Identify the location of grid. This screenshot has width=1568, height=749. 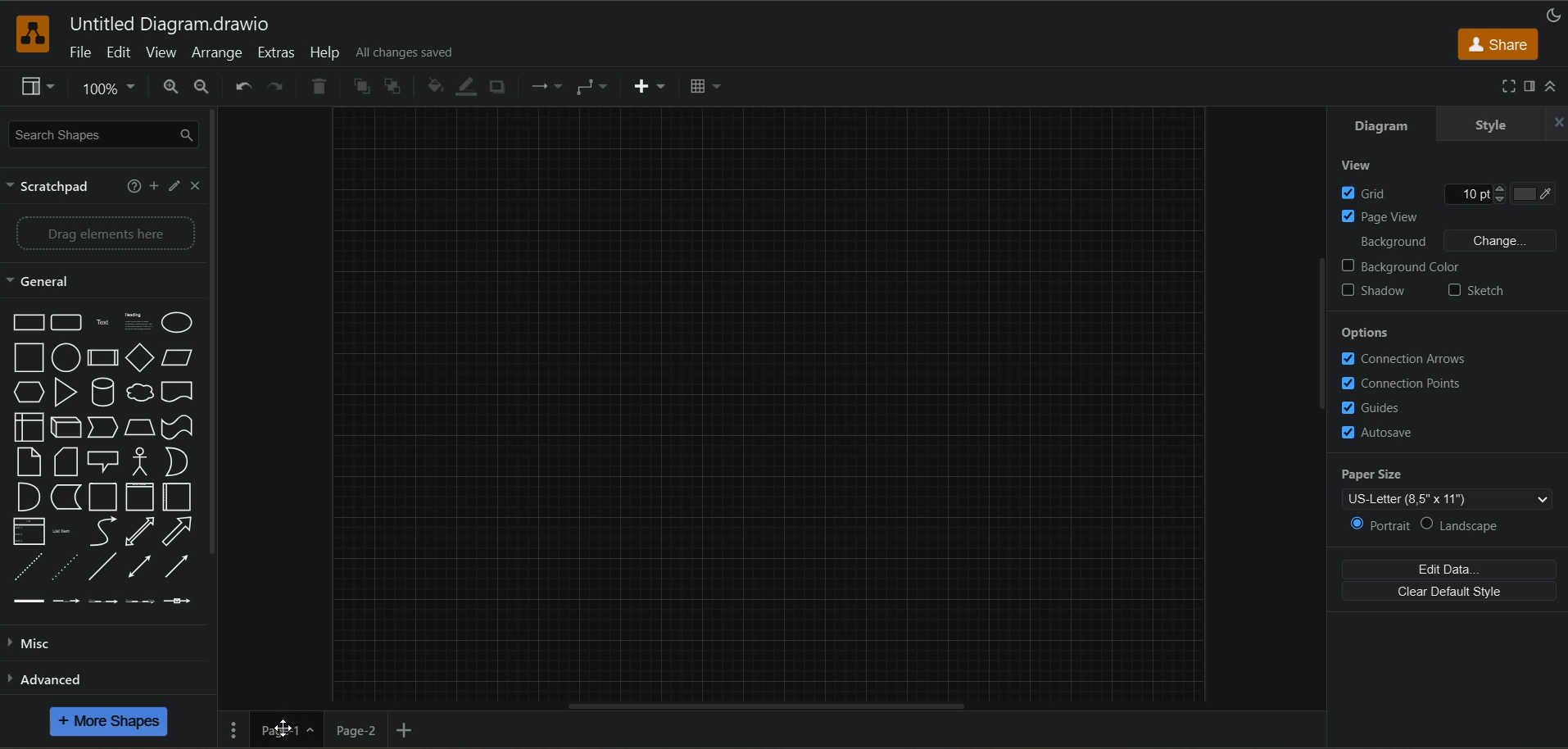
(1371, 192).